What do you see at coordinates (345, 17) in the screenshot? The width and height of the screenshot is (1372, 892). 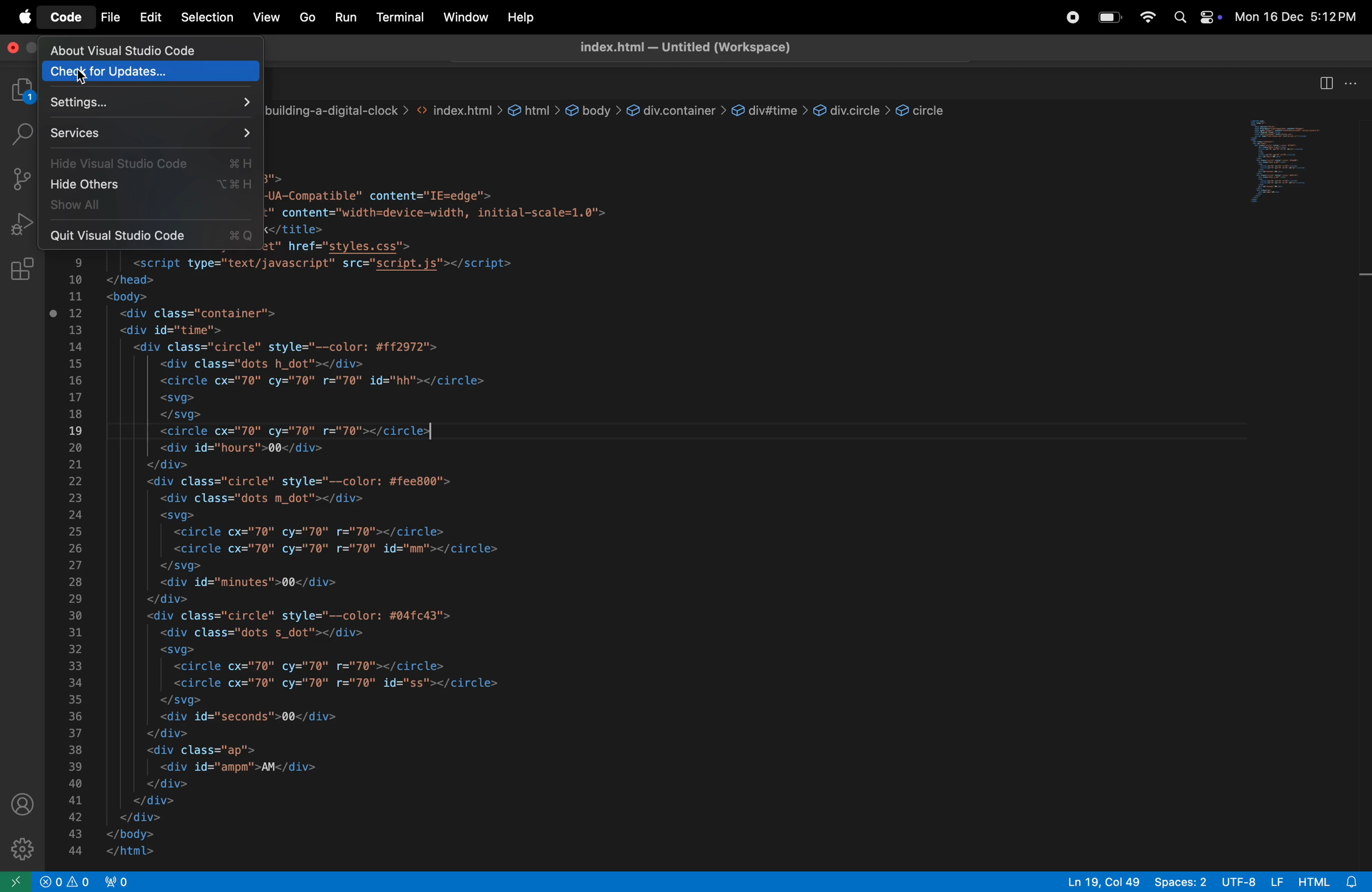 I see `run` at bounding box center [345, 17].